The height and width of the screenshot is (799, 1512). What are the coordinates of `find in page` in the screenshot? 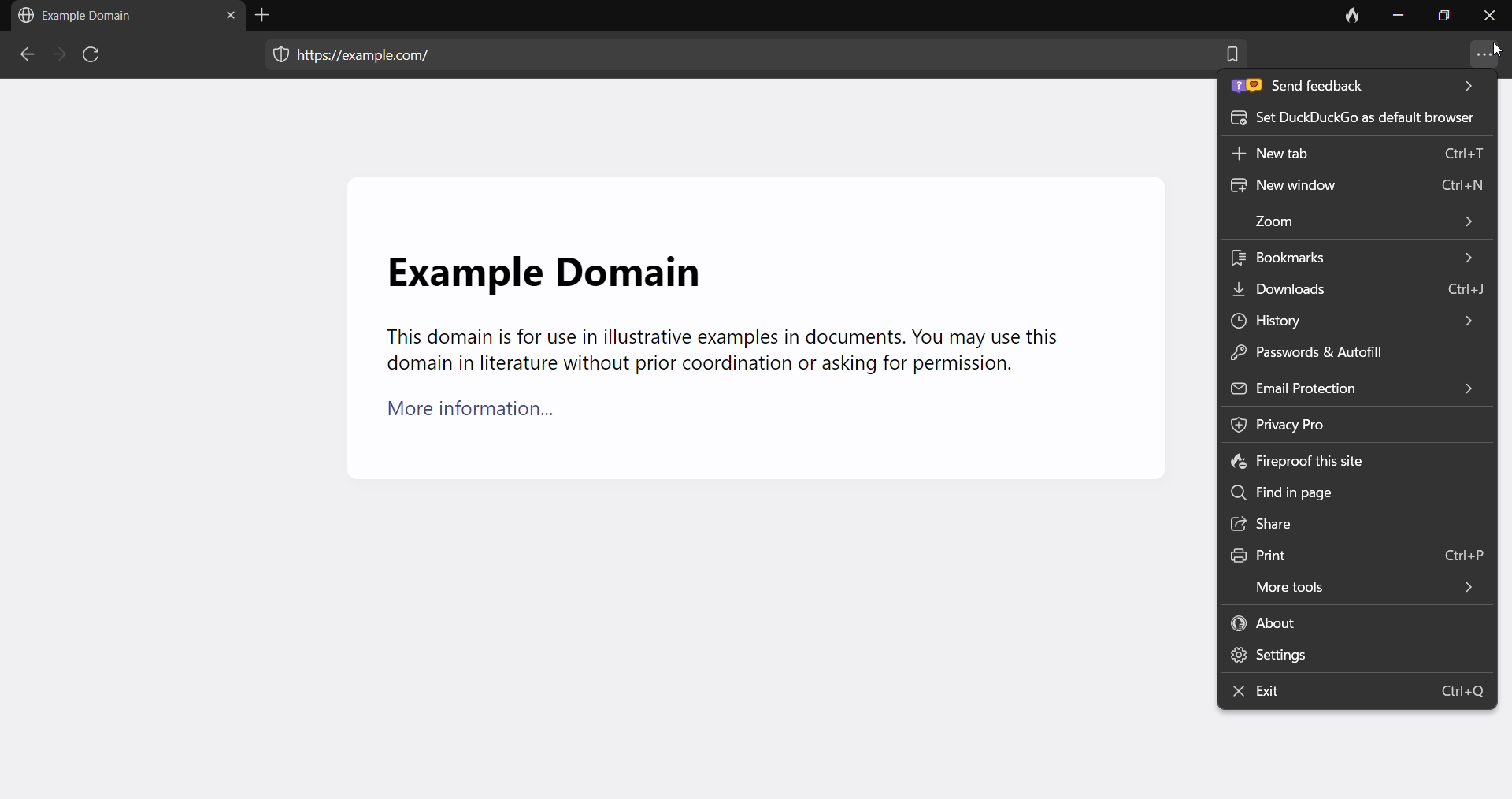 It's located at (1354, 491).